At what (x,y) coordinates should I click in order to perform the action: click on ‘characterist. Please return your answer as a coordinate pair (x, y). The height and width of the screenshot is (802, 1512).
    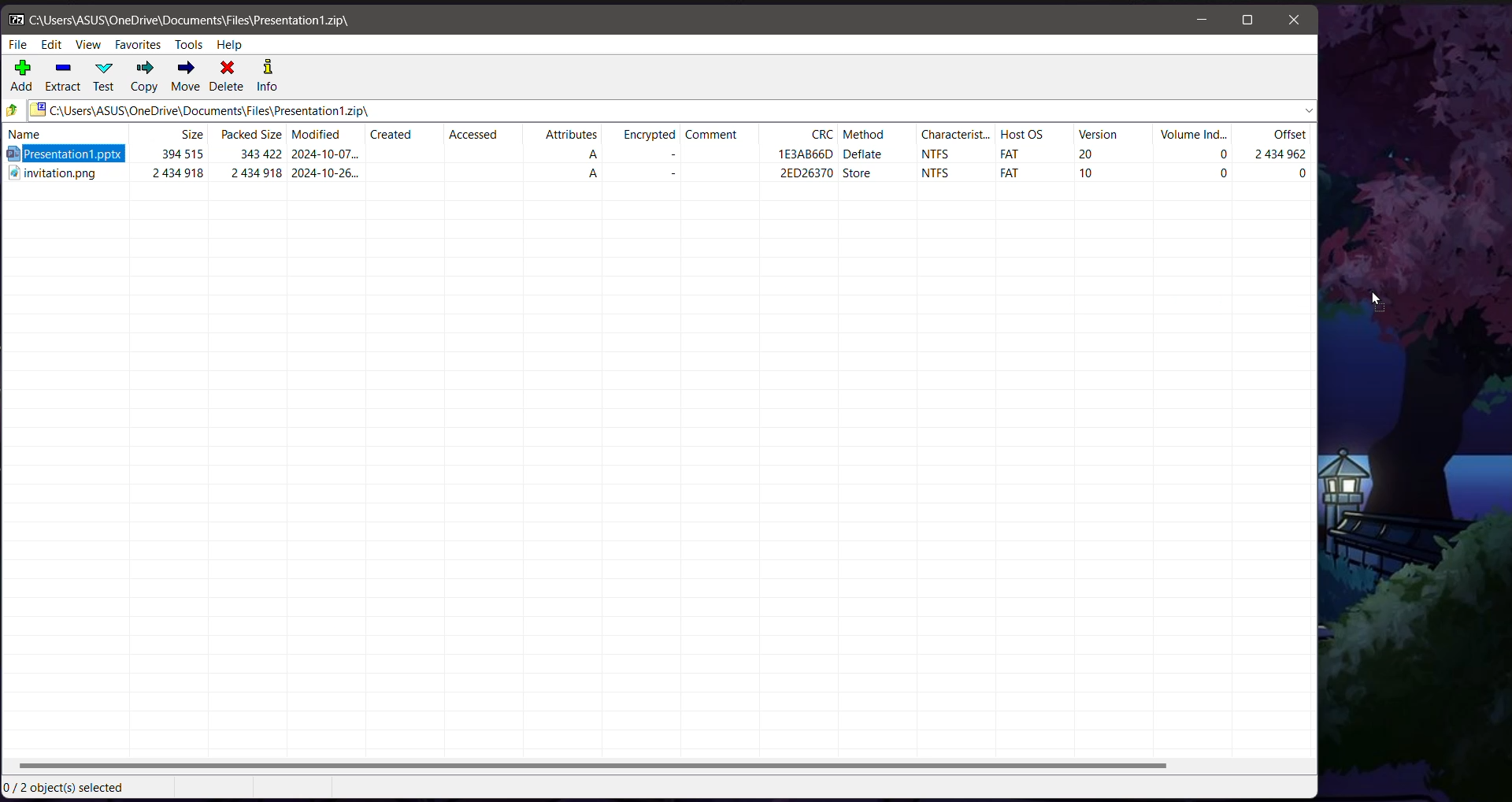
    Looking at the image, I should click on (943, 137).